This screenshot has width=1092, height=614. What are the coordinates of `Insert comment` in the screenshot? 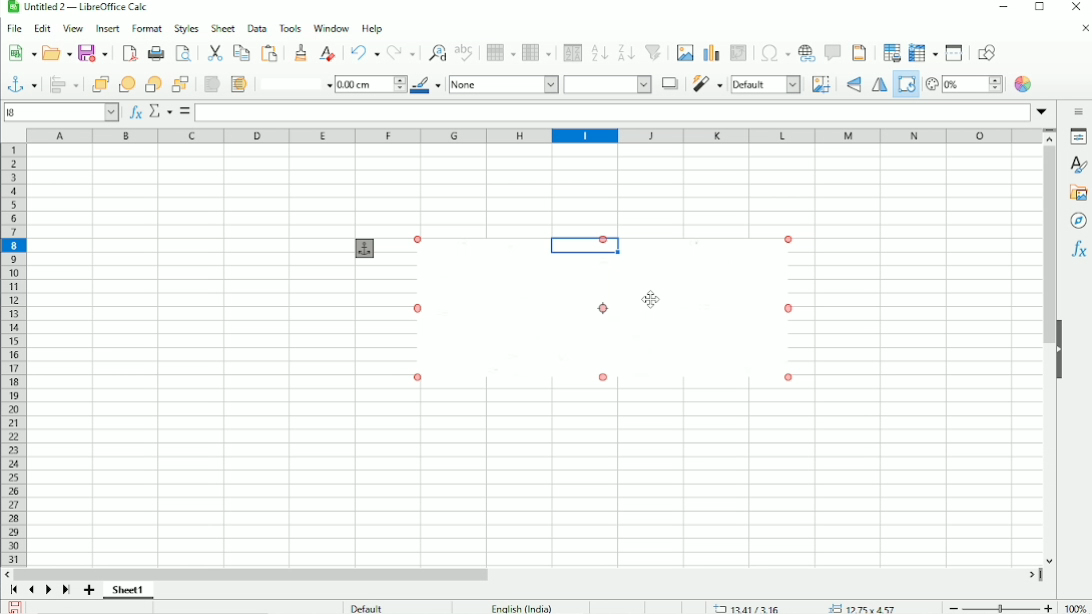 It's located at (832, 53).